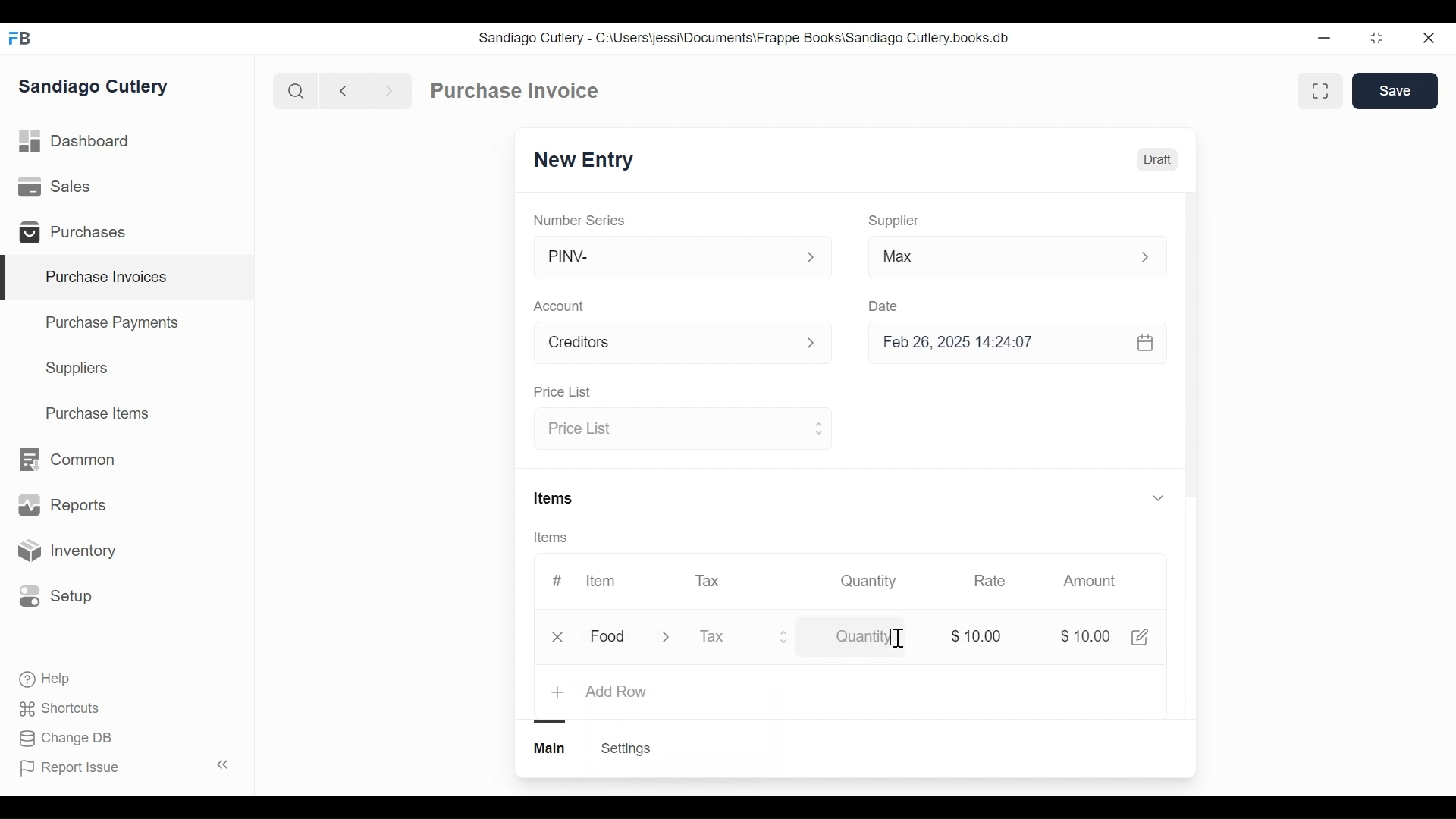  Describe the element at coordinates (96, 88) in the screenshot. I see `Sandiago Cutlery` at that location.